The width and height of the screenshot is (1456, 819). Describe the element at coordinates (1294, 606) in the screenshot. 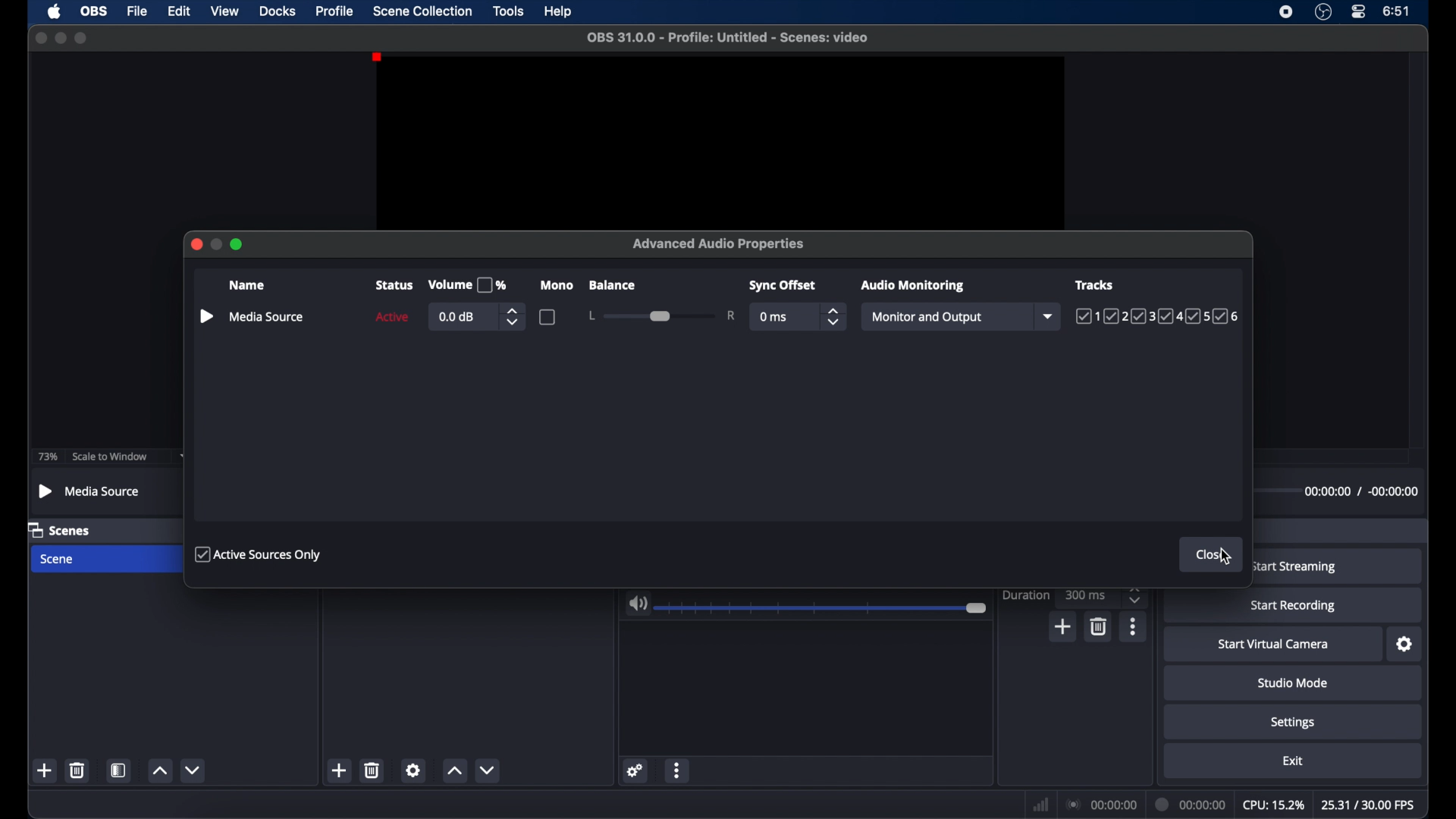

I see `start recording` at that location.